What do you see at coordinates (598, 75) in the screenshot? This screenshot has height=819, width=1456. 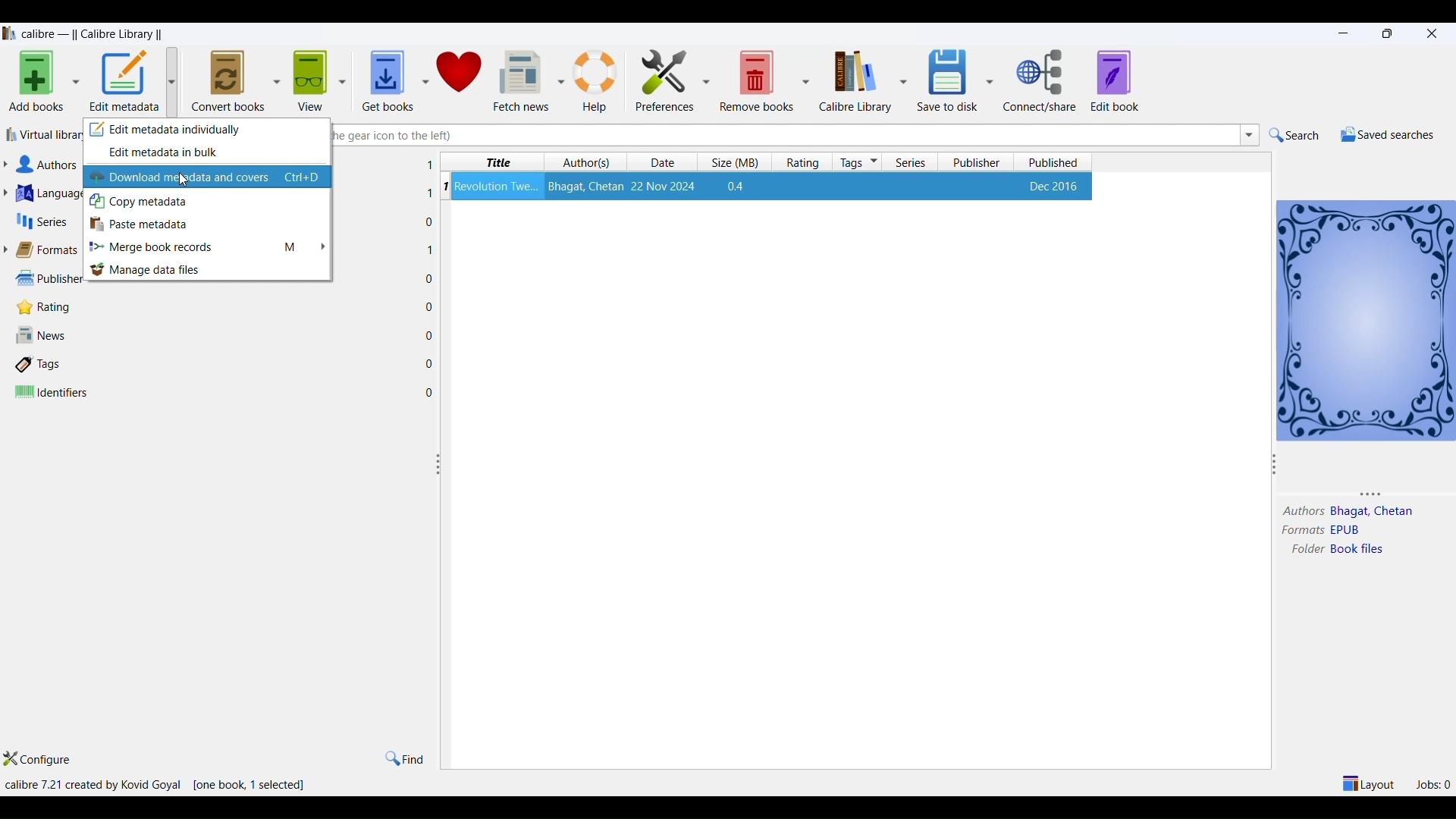 I see `help` at bounding box center [598, 75].